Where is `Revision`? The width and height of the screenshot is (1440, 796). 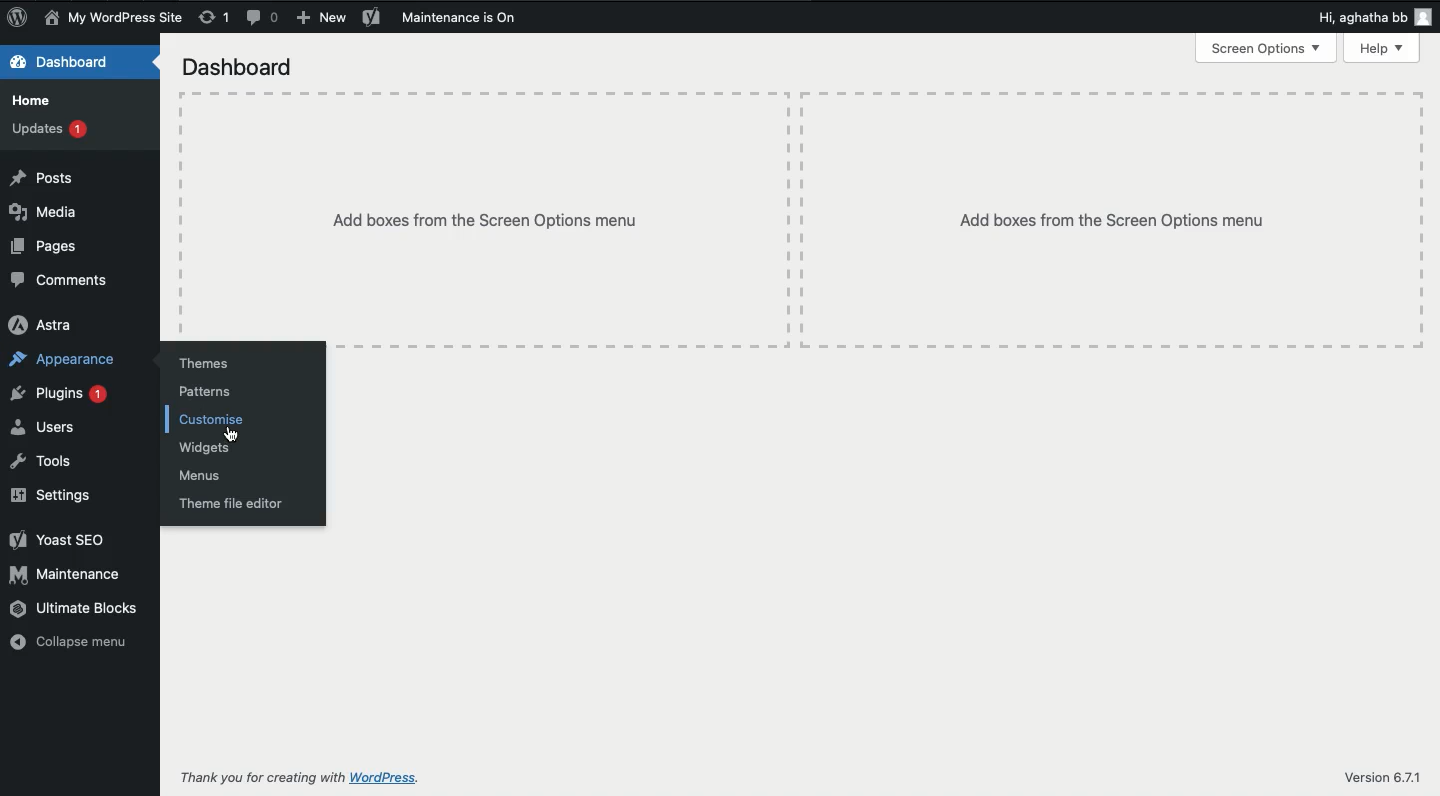 Revision is located at coordinates (217, 20).